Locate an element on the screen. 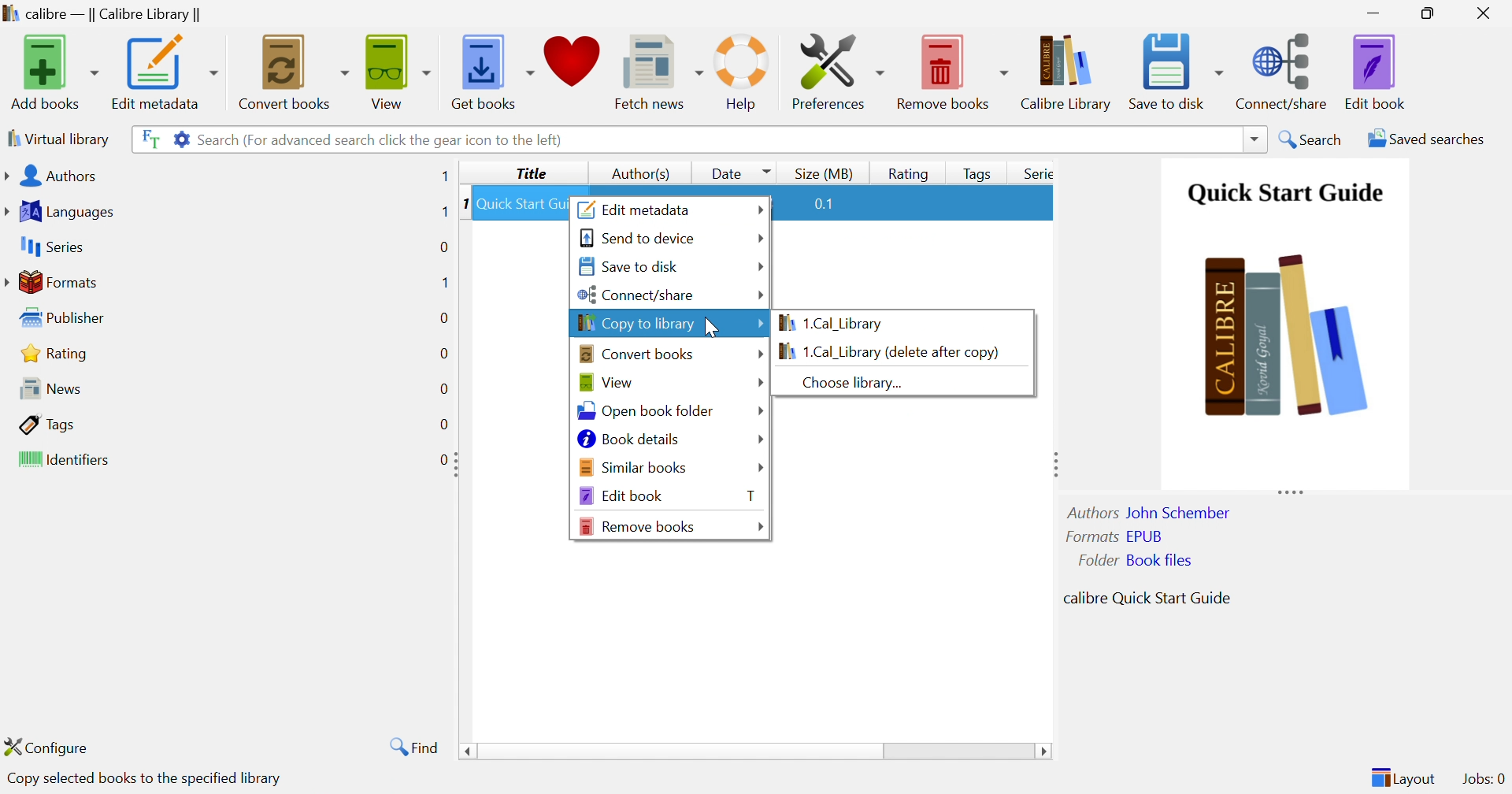 The height and width of the screenshot is (794, 1512). Edit Book is located at coordinates (1377, 71).